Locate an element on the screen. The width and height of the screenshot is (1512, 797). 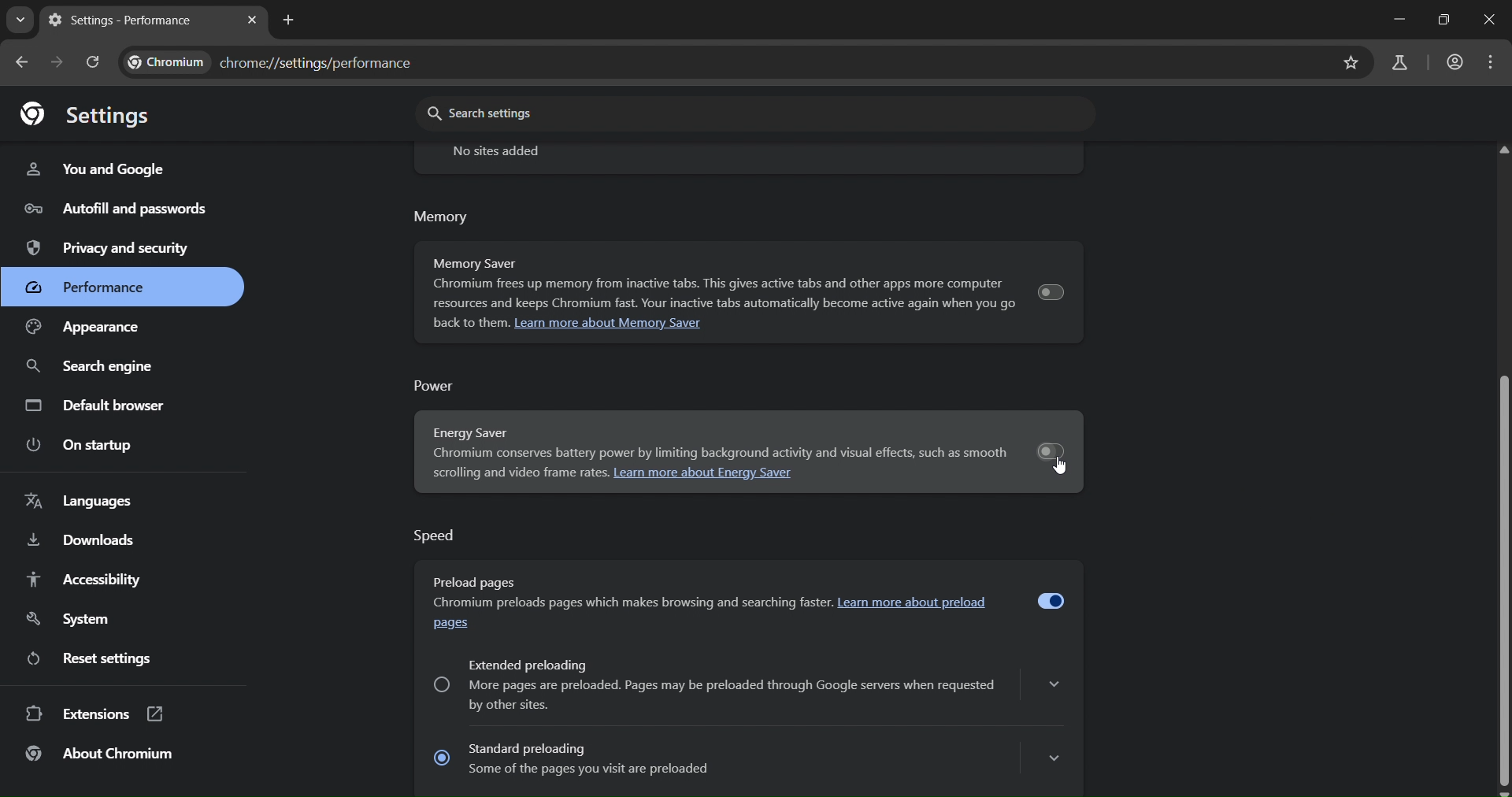
toggle memory saver is located at coordinates (1053, 287).